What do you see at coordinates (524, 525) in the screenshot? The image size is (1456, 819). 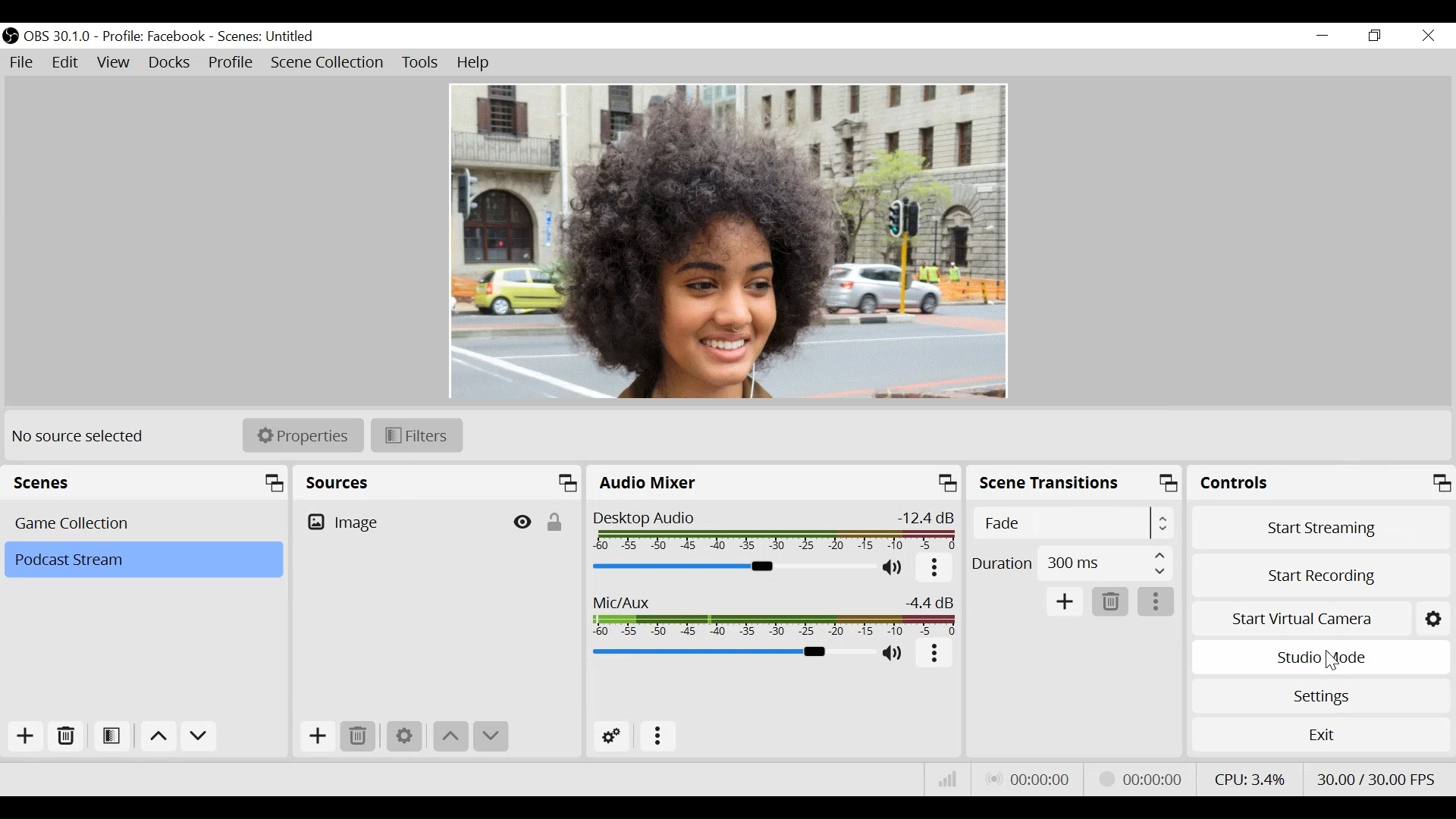 I see `Hide/Display` at bounding box center [524, 525].